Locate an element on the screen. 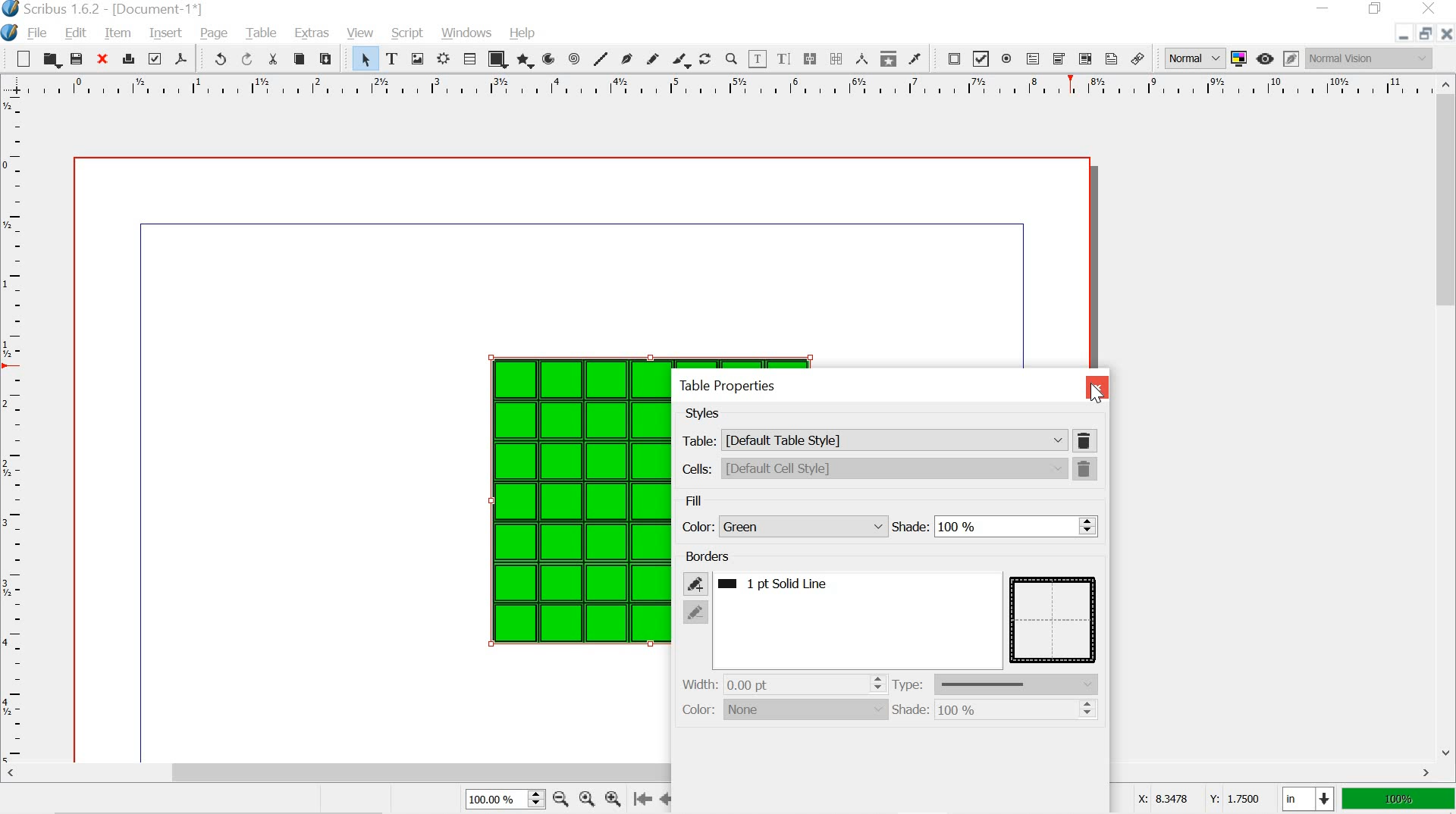  close is located at coordinates (1432, 9).